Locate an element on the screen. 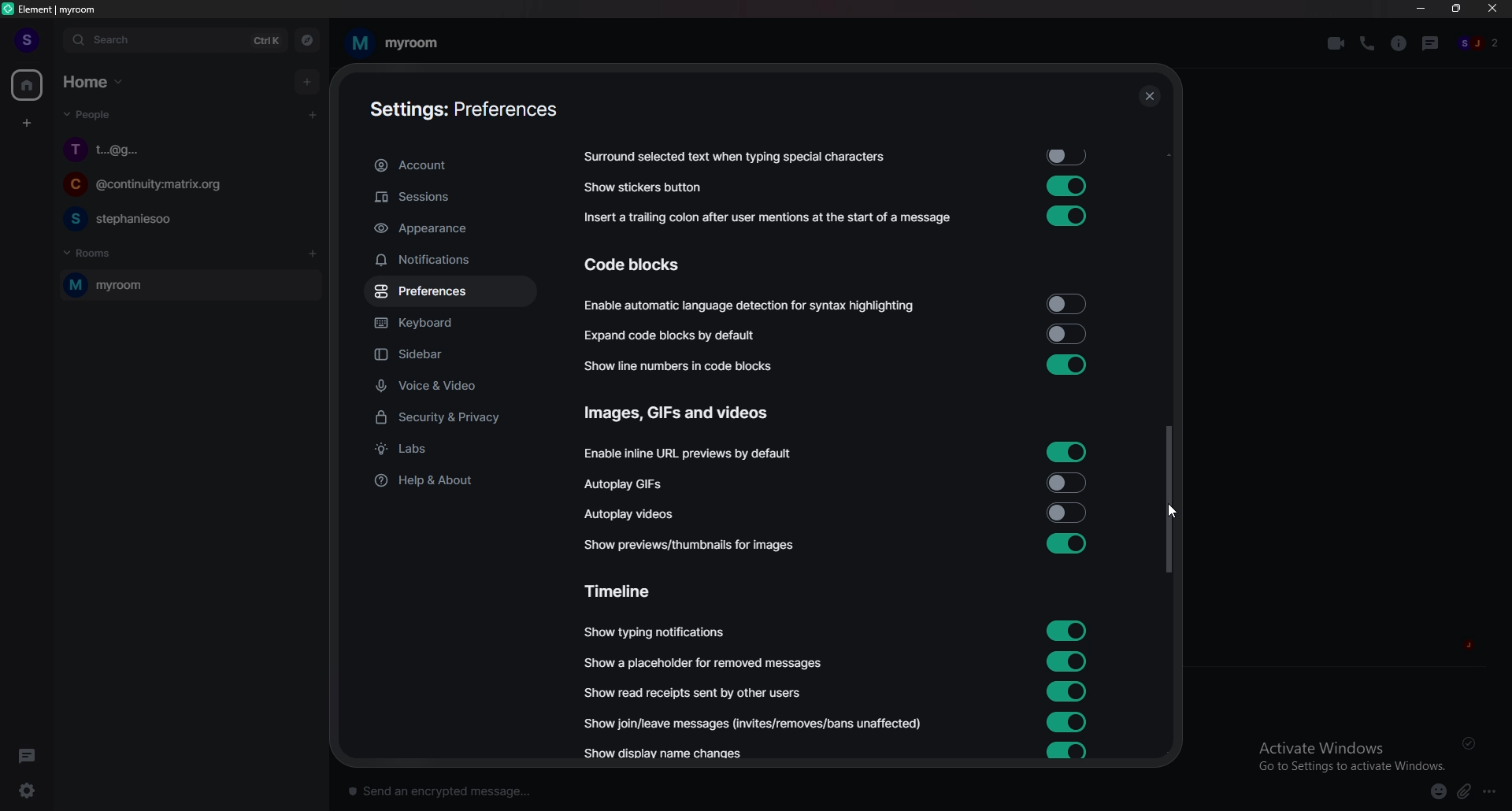  toggle is located at coordinates (1067, 185).